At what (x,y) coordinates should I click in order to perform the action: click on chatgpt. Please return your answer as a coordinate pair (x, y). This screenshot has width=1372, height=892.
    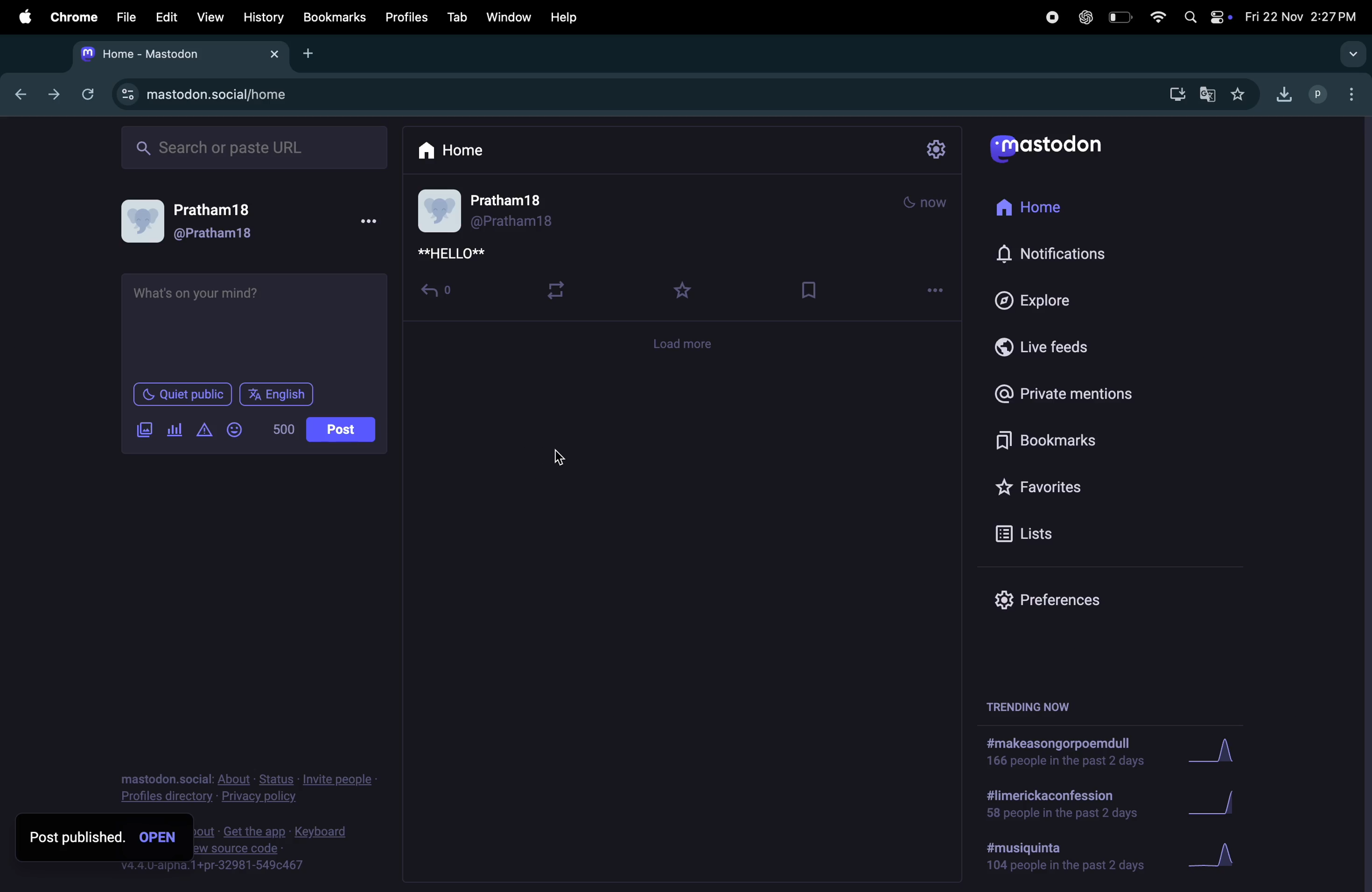
    Looking at the image, I should click on (1088, 17).